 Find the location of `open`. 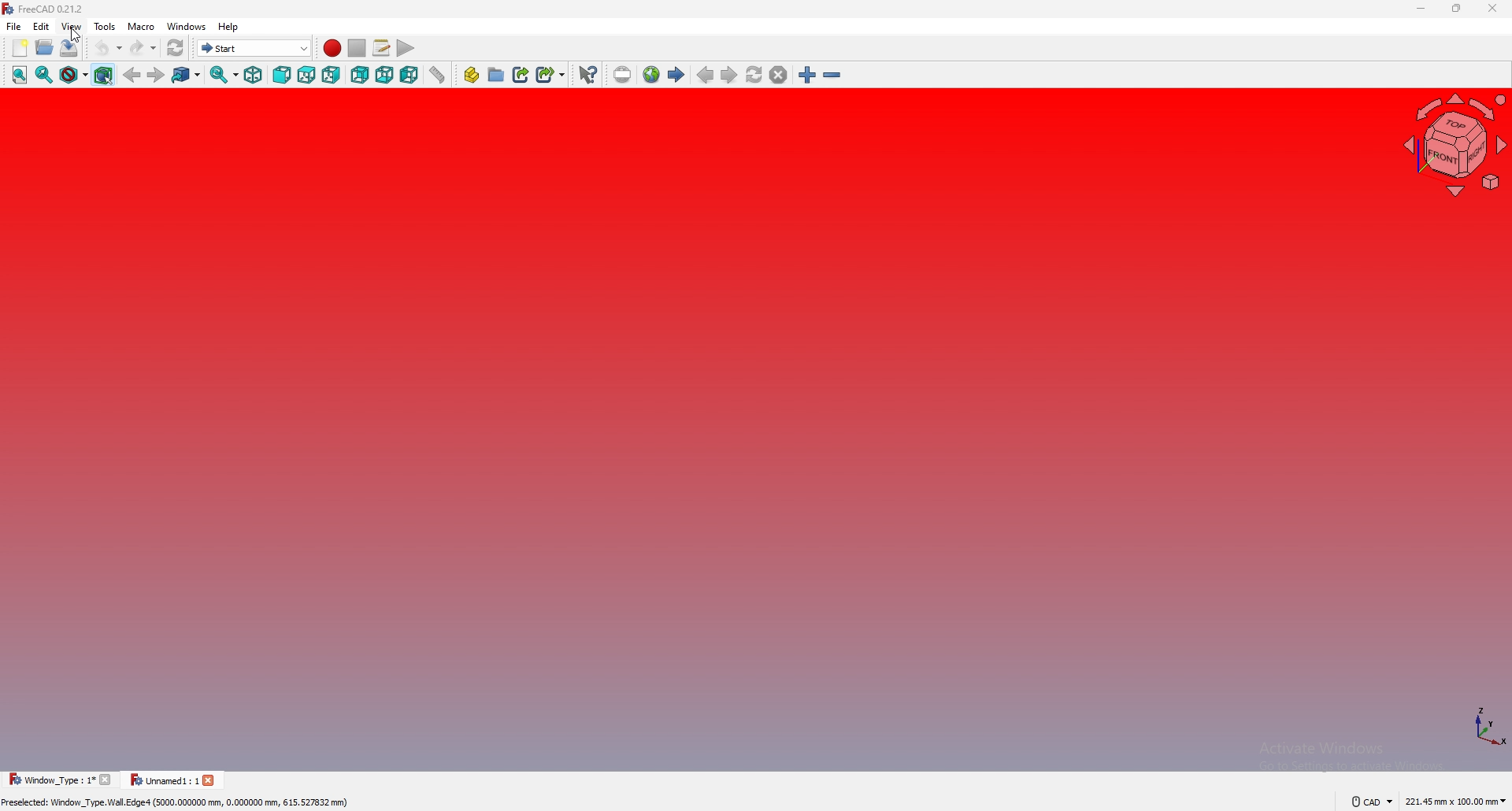

open is located at coordinates (43, 46).